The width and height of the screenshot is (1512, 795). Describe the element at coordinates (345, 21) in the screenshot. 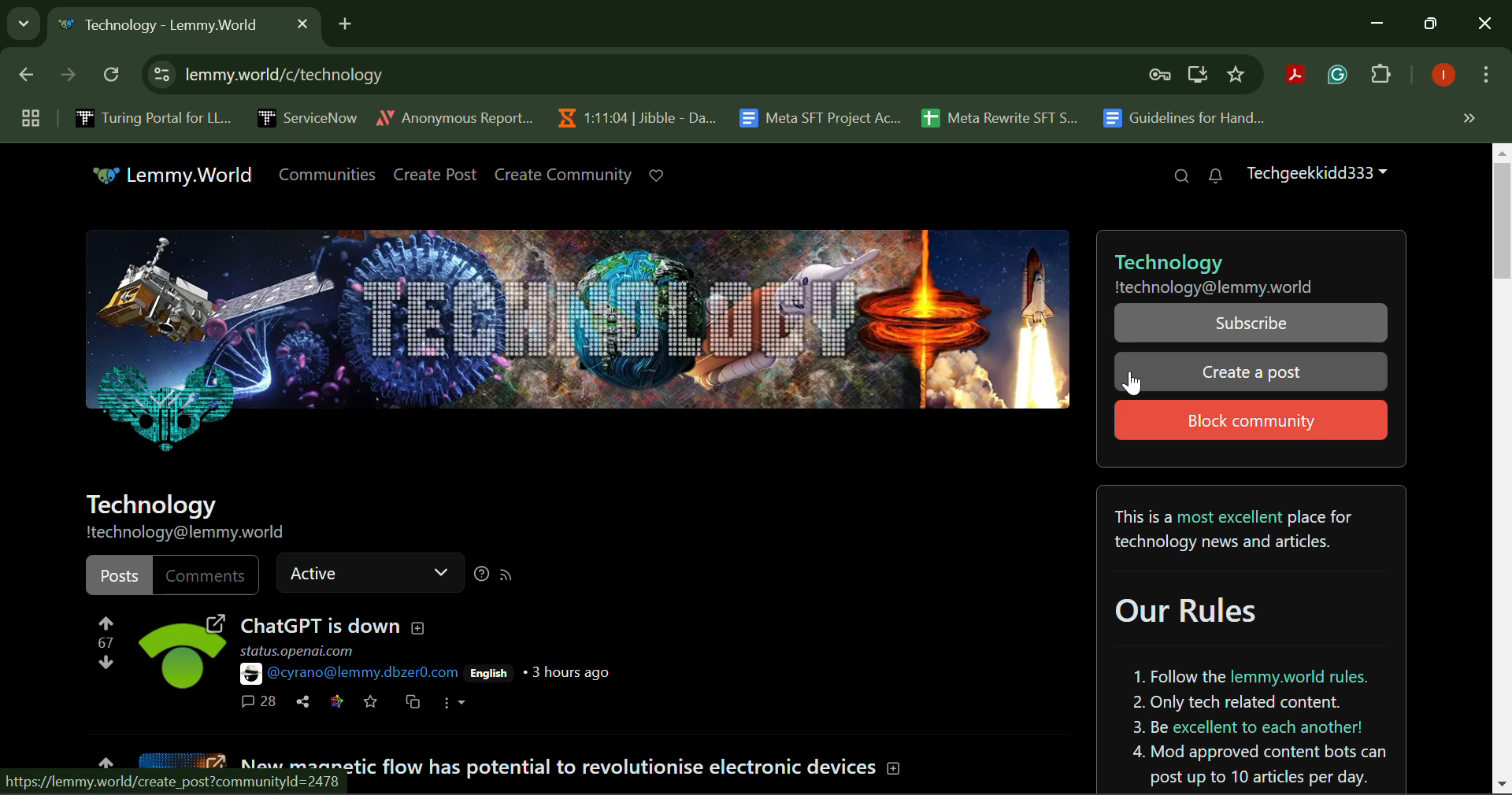

I see `Add Tab` at that location.